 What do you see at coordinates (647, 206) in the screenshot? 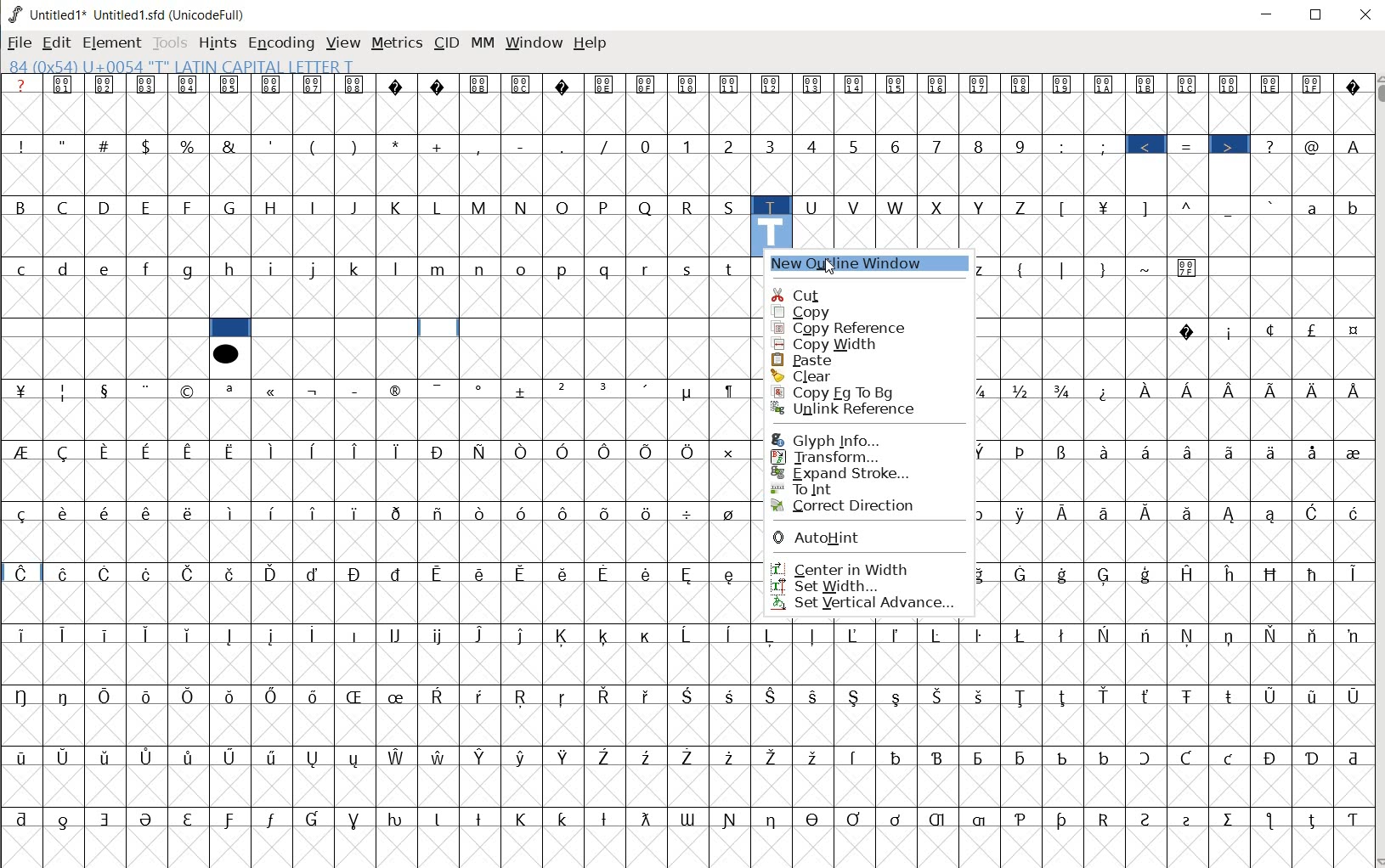
I see `Q` at bounding box center [647, 206].